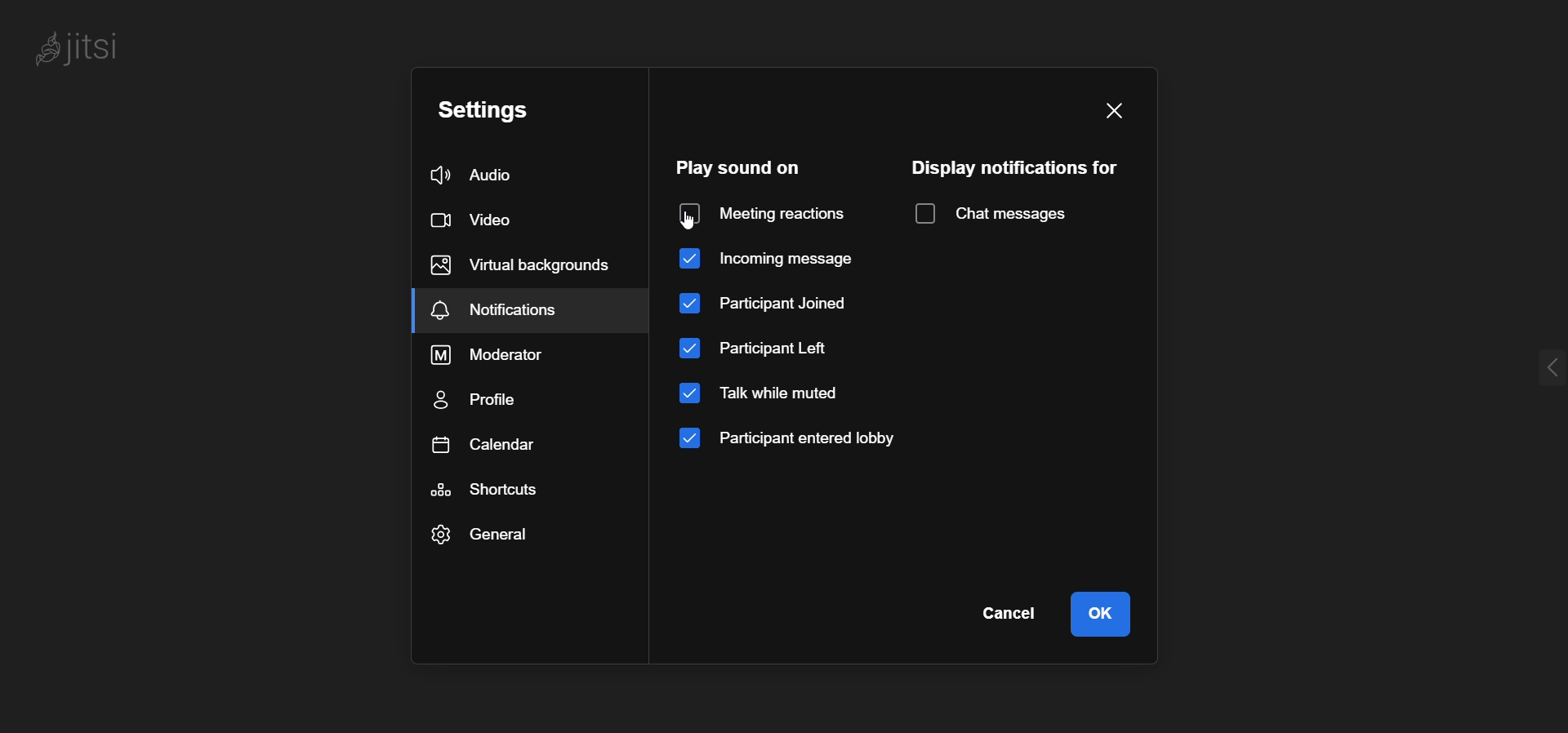  I want to click on incoming message, so click(781, 257).